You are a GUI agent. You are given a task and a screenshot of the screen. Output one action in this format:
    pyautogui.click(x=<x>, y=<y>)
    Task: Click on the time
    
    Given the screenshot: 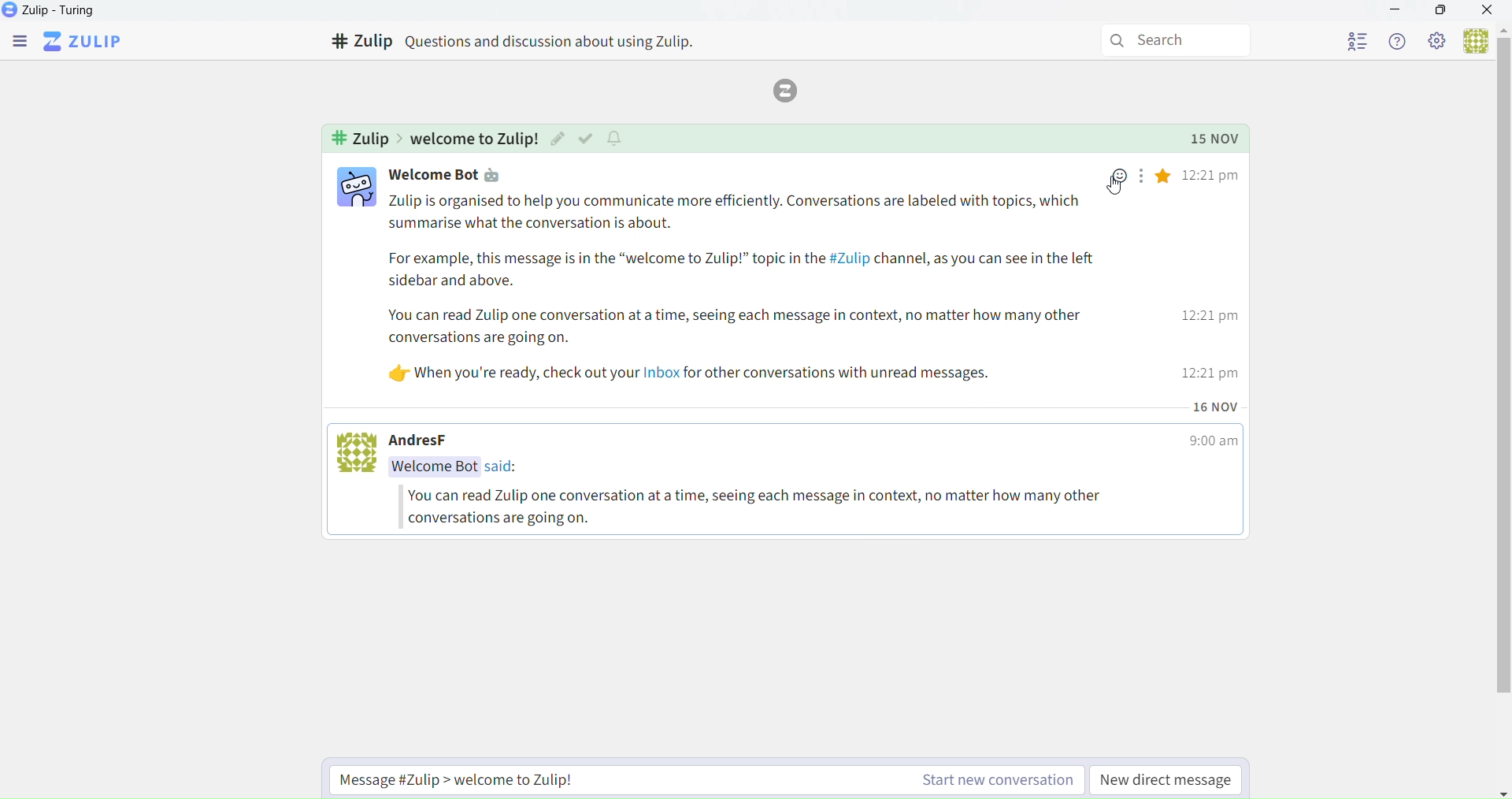 What is the action you would take?
    pyautogui.click(x=1215, y=443)
    